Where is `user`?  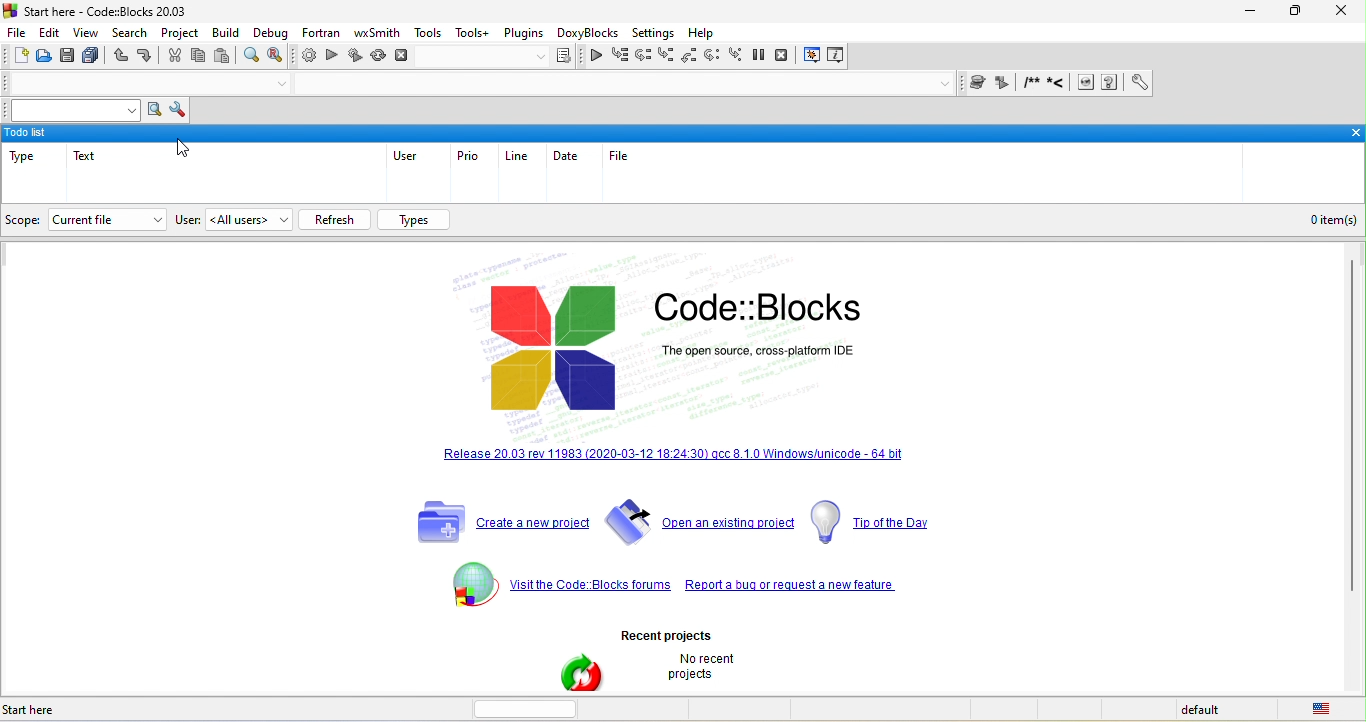
user is located at coordinates (404, 157).